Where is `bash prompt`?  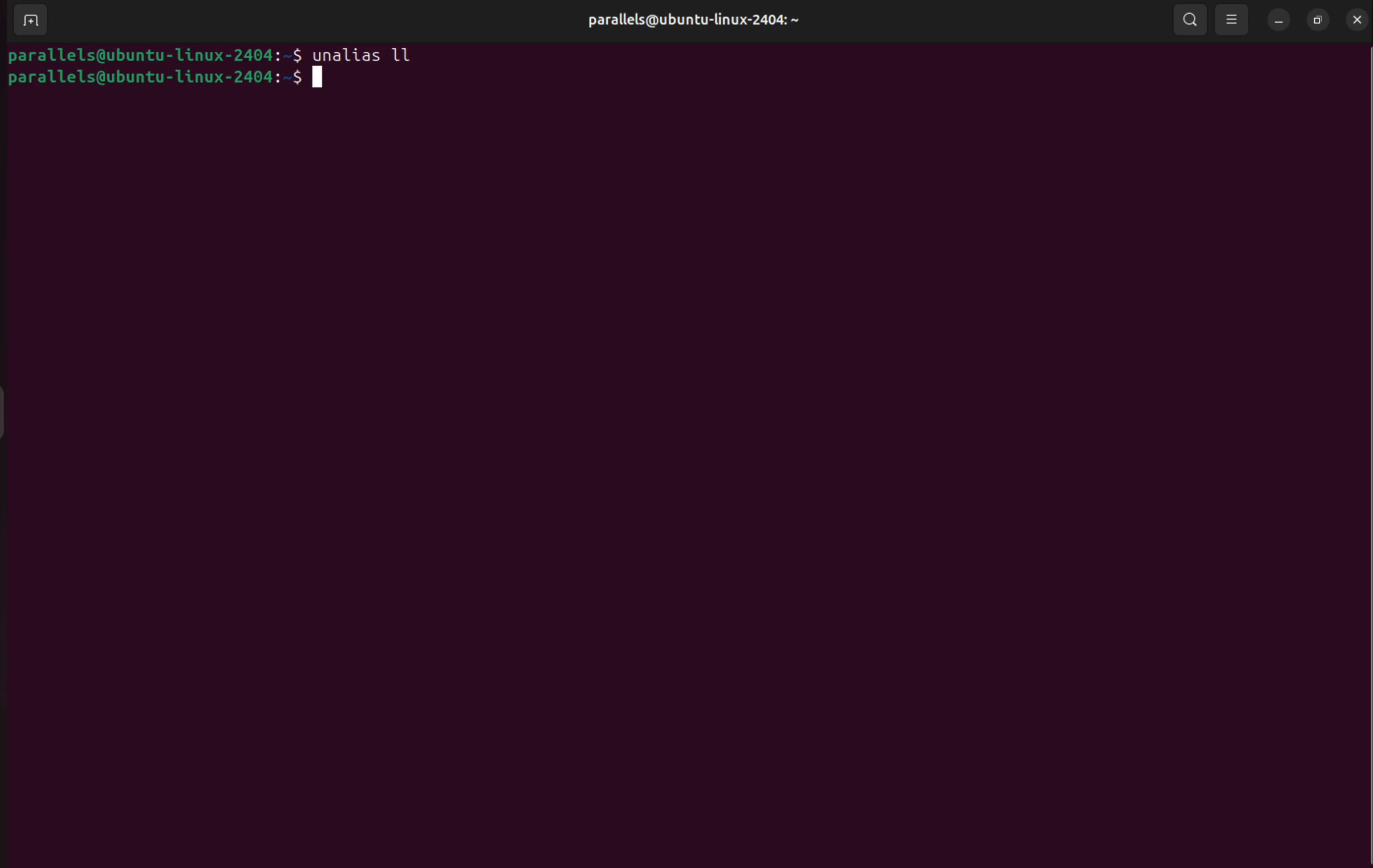 bash prompt is located at coordinates (166, 79).